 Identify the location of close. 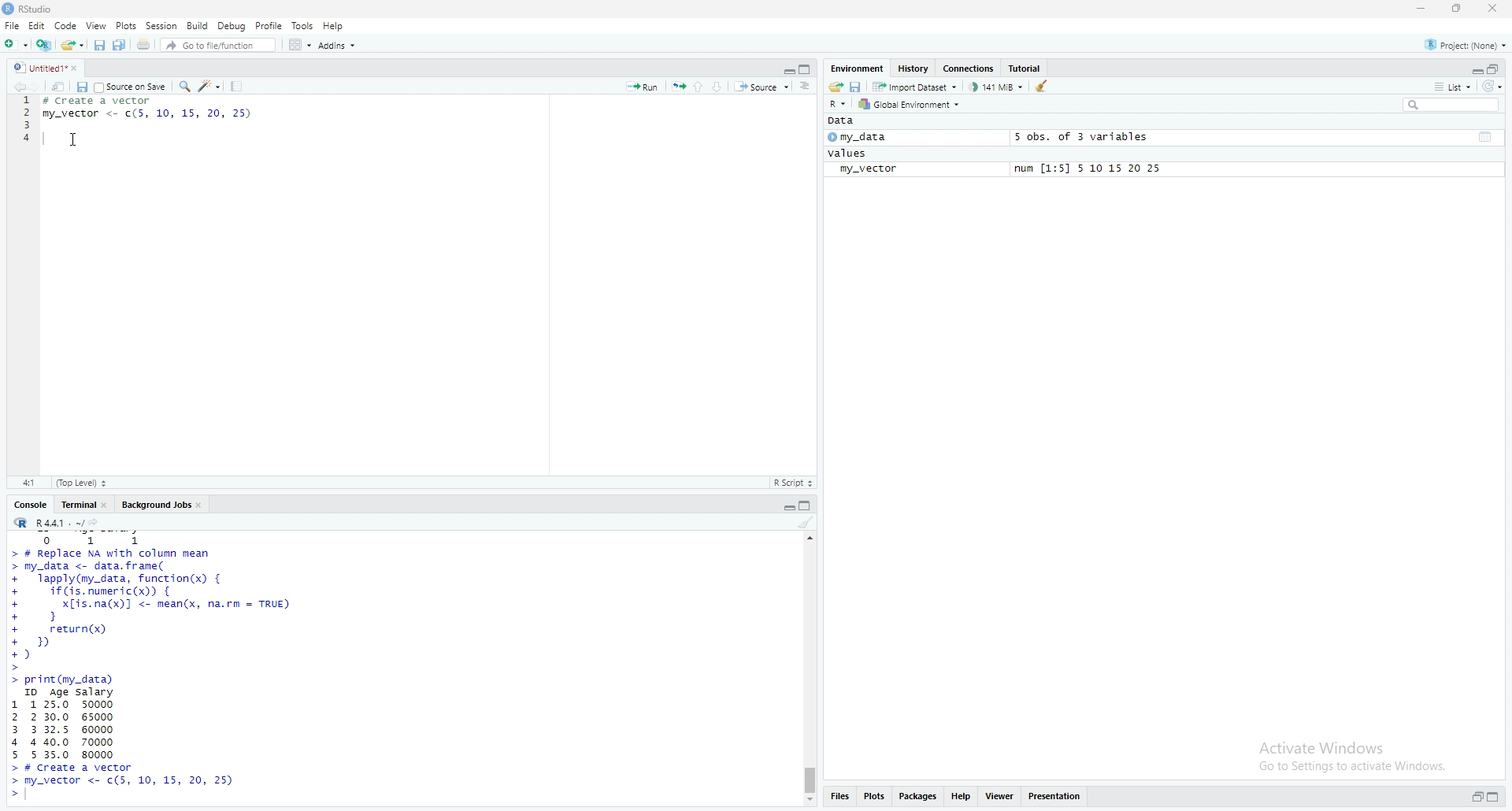
(1495, 9).